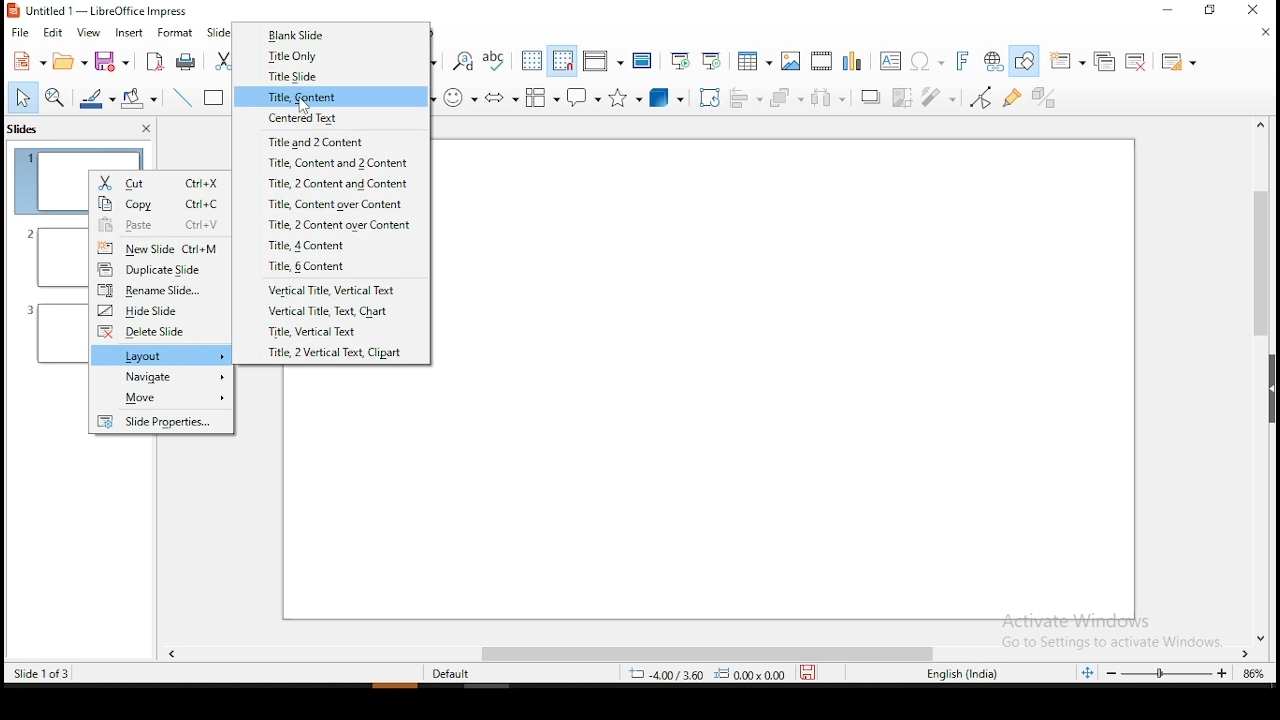 This screenshot has width=1280, height=720. I want to click on title, 4 content, so click(331, 244).